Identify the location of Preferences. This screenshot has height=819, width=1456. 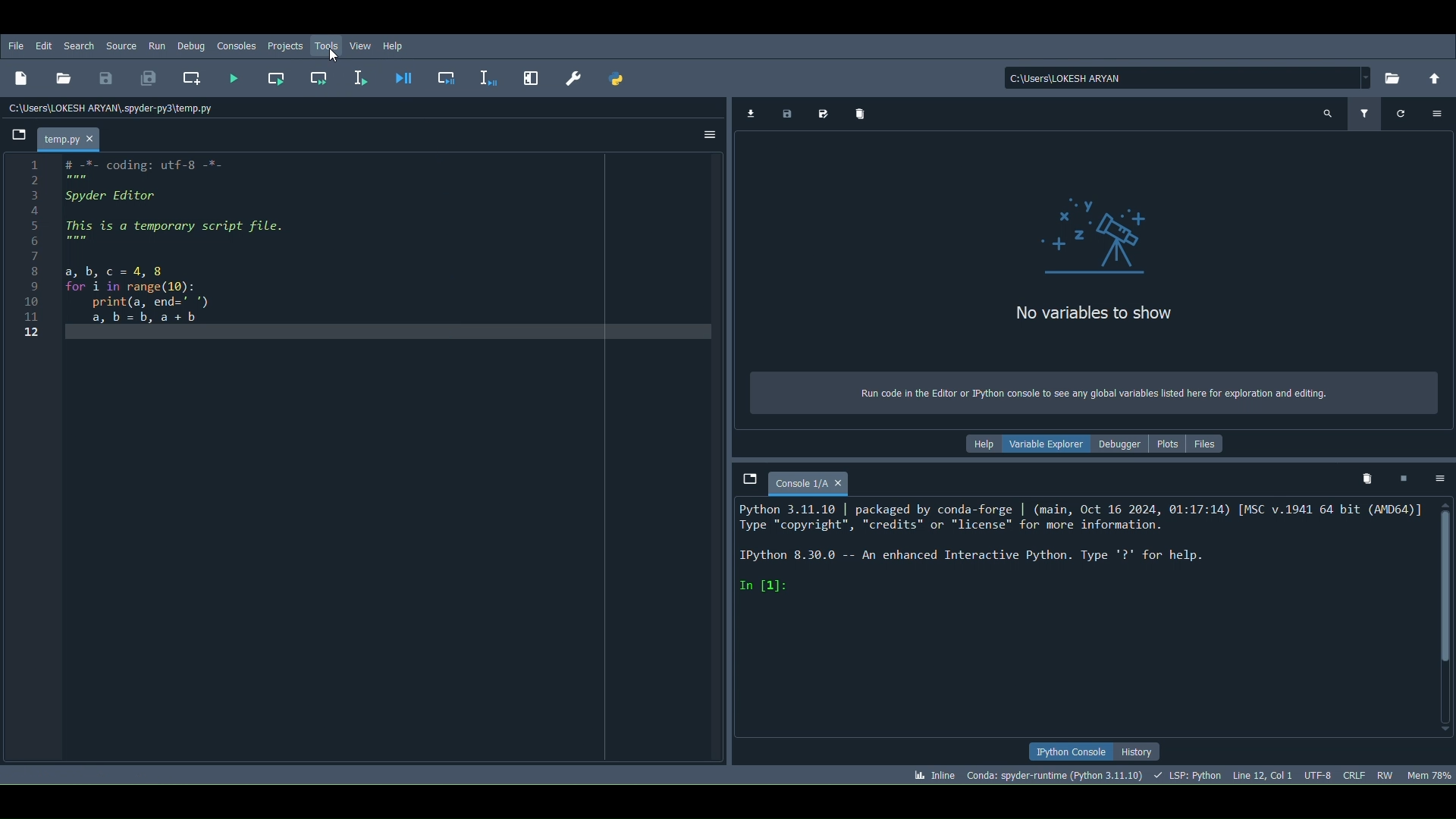
(573, 78).